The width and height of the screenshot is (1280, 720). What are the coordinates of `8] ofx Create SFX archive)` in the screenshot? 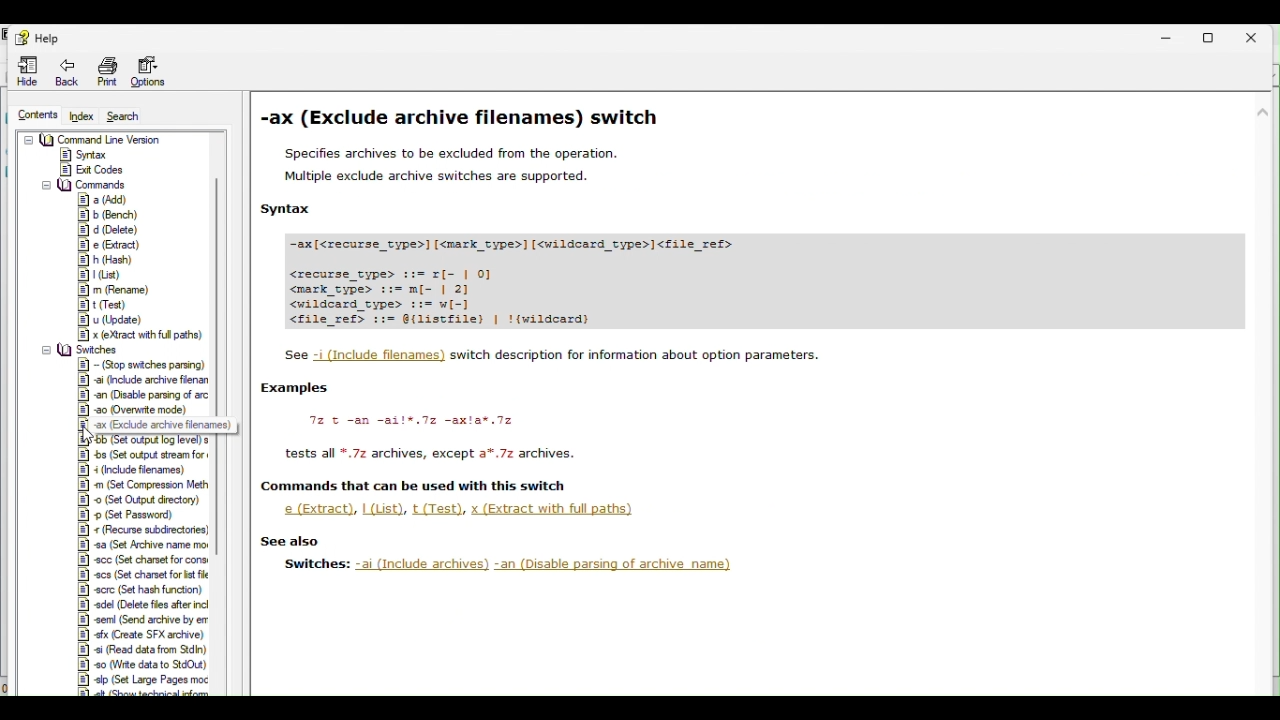 It's located at (138, 633).